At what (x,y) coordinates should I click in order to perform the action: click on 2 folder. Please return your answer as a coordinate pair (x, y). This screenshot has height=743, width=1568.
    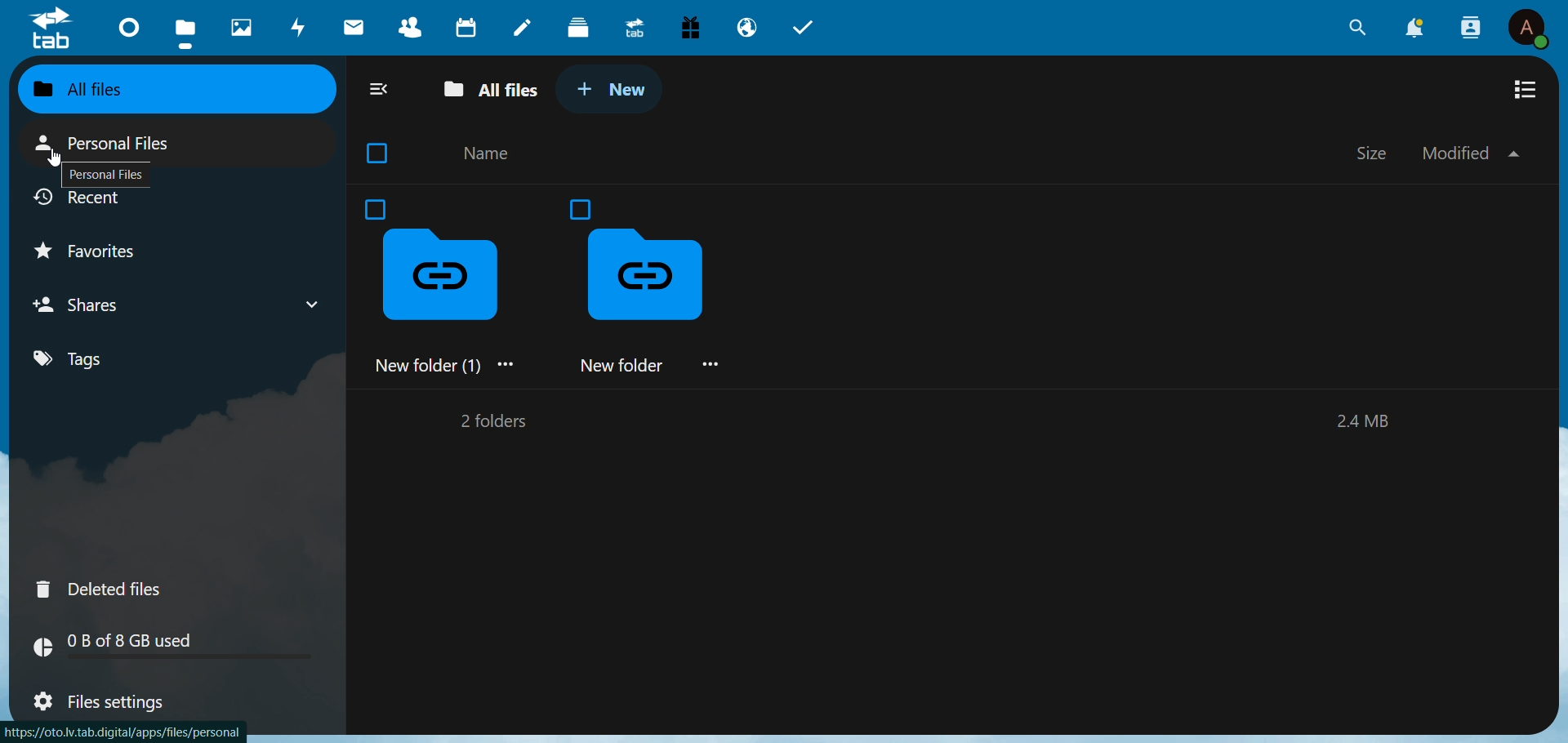
    Looking at the image, I should click on (489, 424).